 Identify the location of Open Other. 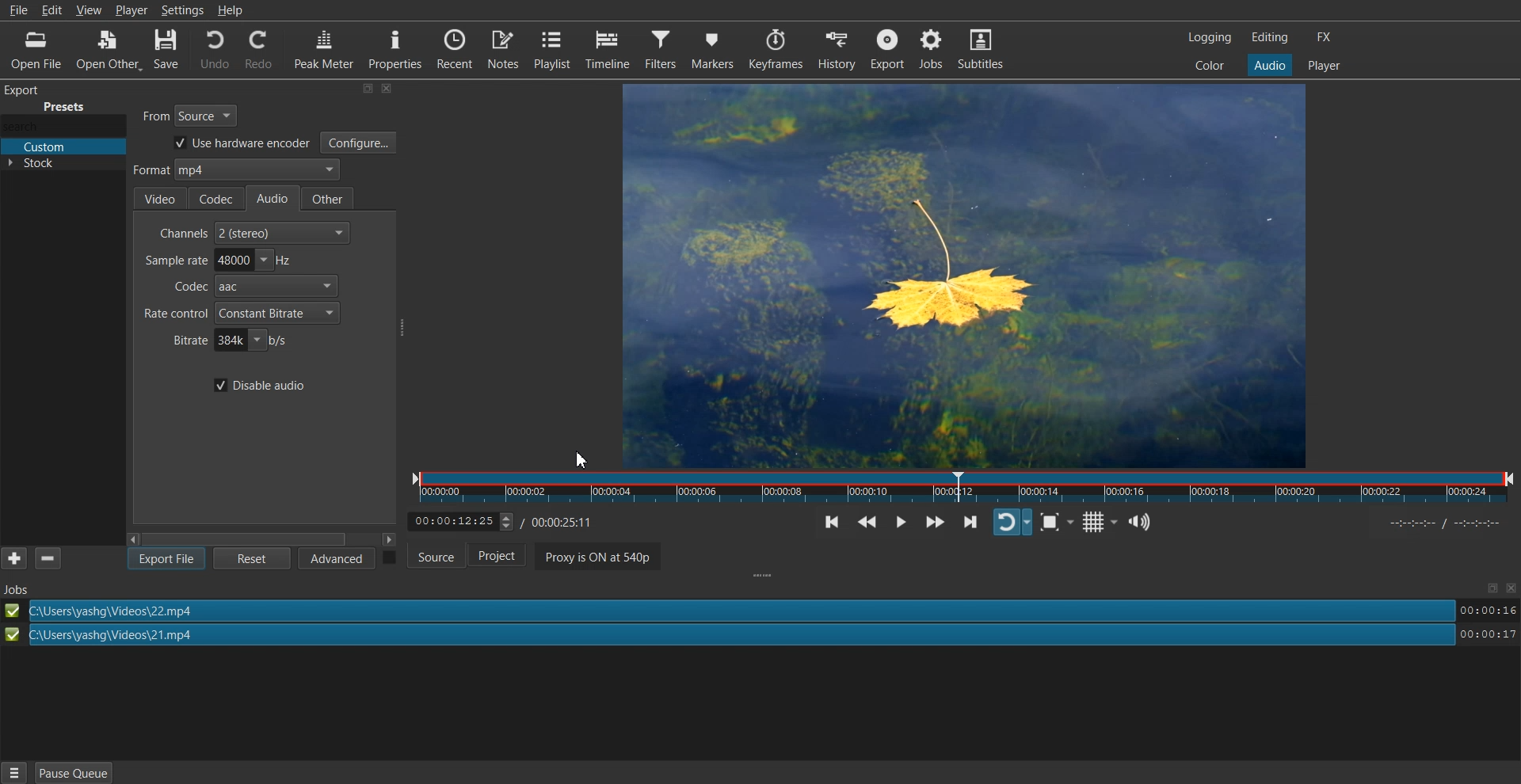
(105, 51).